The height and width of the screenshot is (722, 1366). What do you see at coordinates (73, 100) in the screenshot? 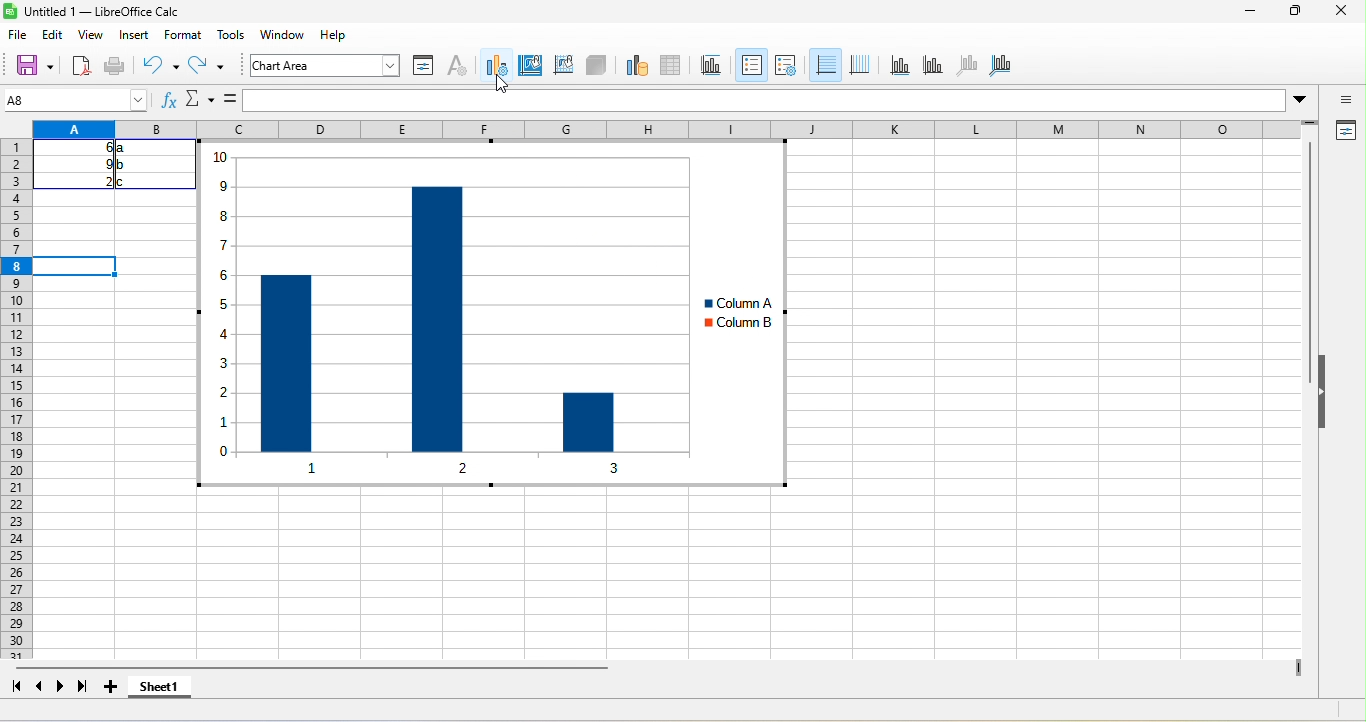
I see `A8` at bounding box center [73, 100].